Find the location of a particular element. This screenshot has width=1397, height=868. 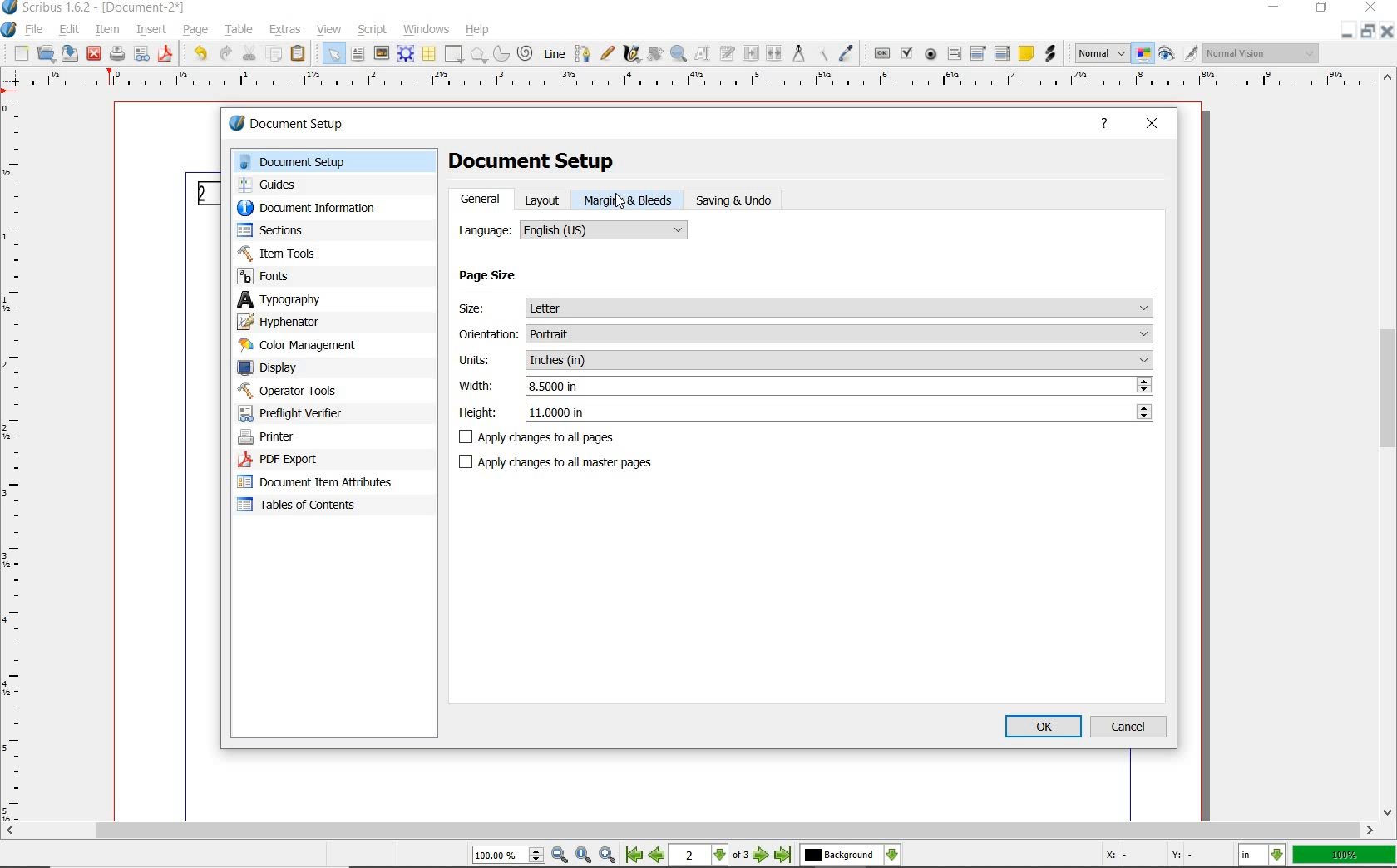

table is located at coordinates (428, 54).